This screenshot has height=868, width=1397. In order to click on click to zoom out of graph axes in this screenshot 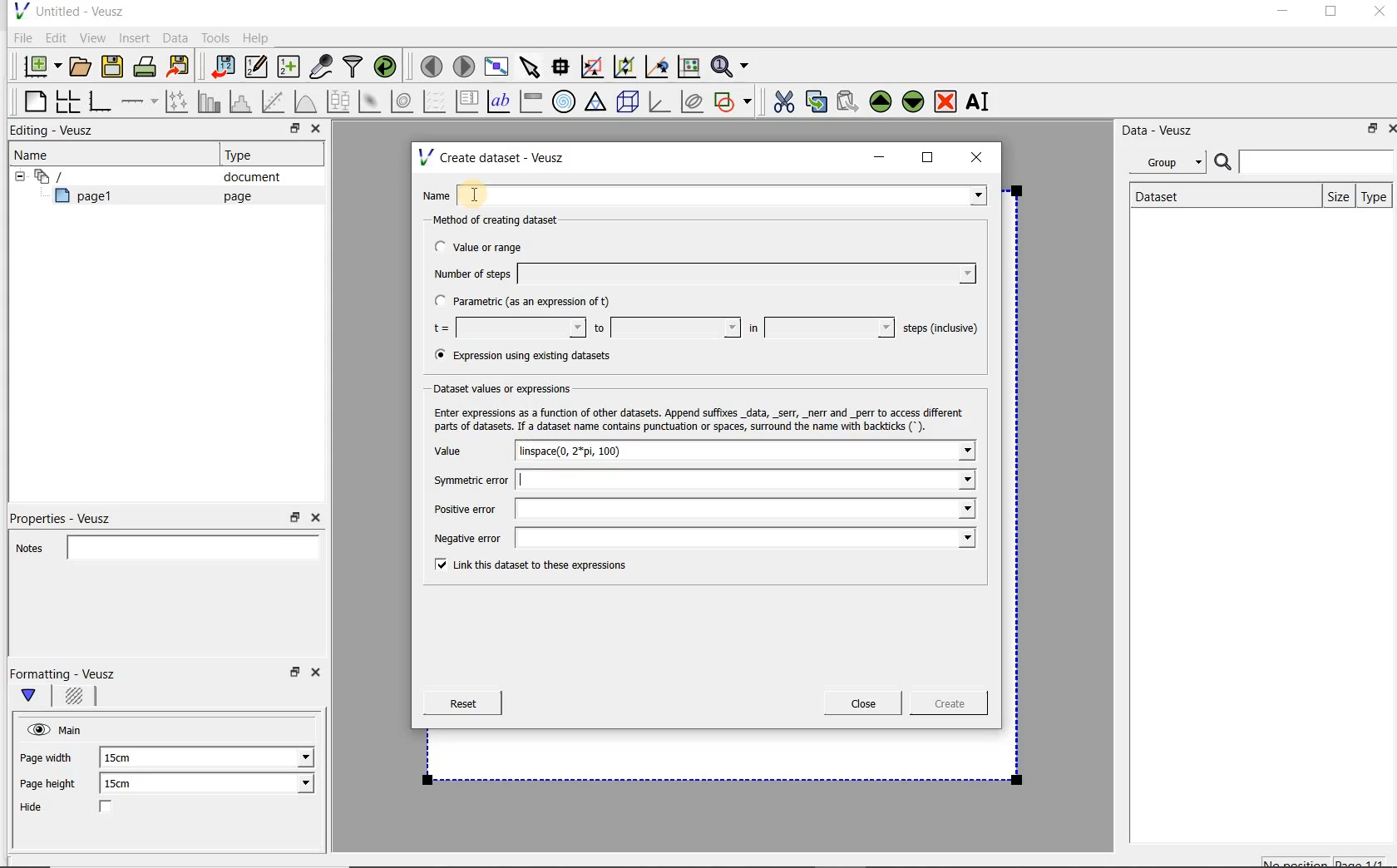, I will do `click(625, 67)`.